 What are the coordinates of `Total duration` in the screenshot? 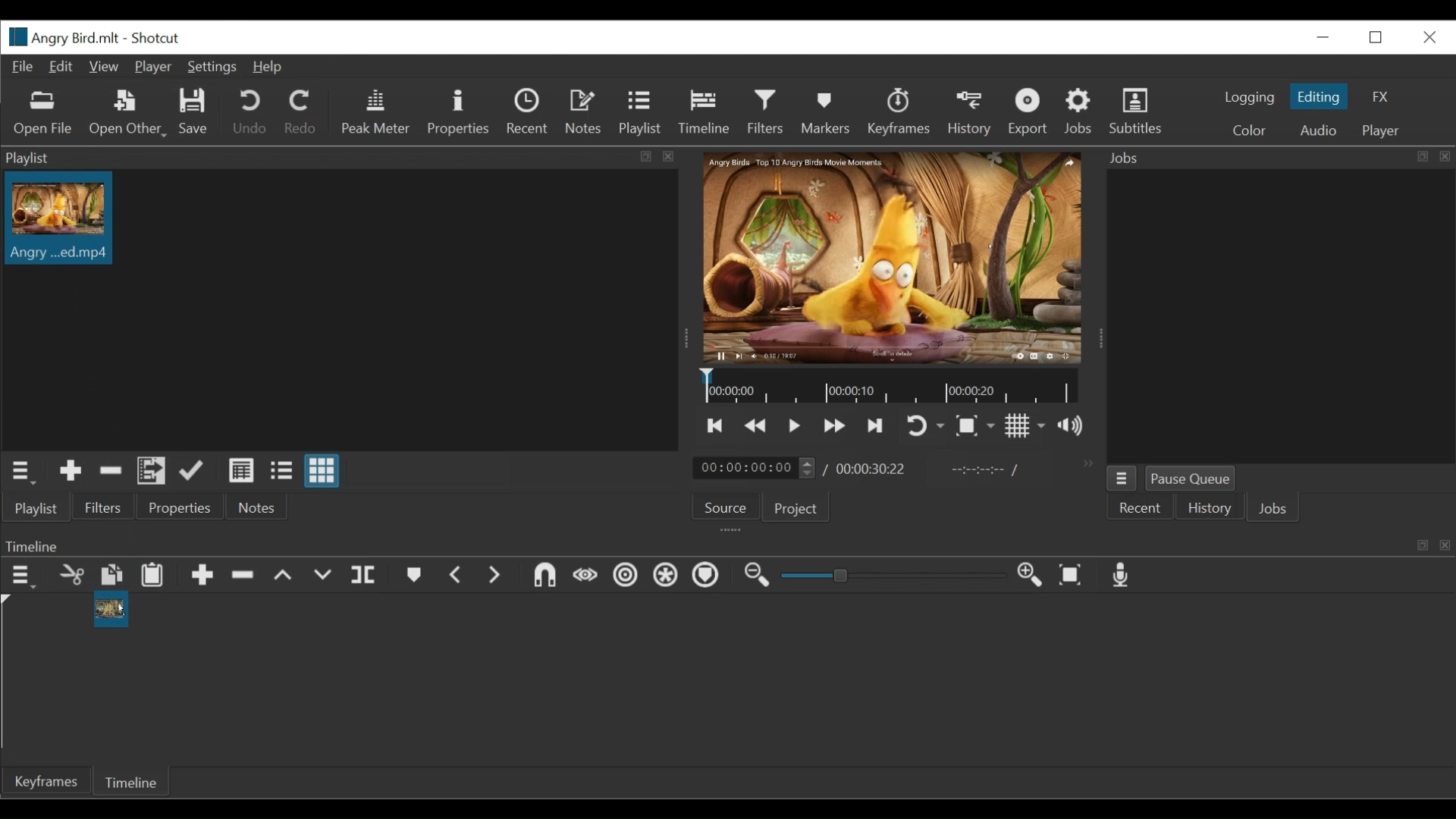 It's located at (872, 468).